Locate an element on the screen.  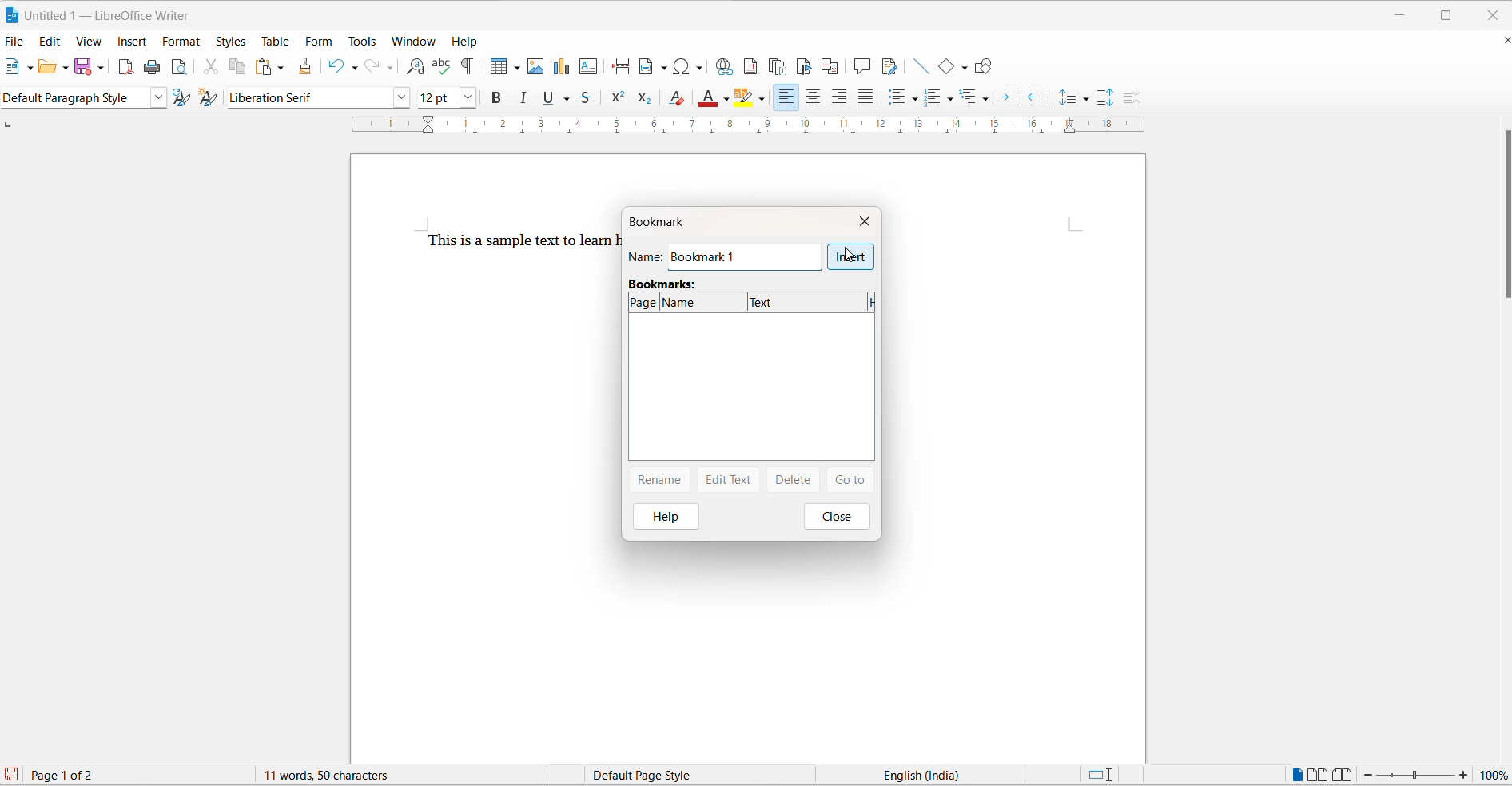
spellings is located at coordinates (441, 65).